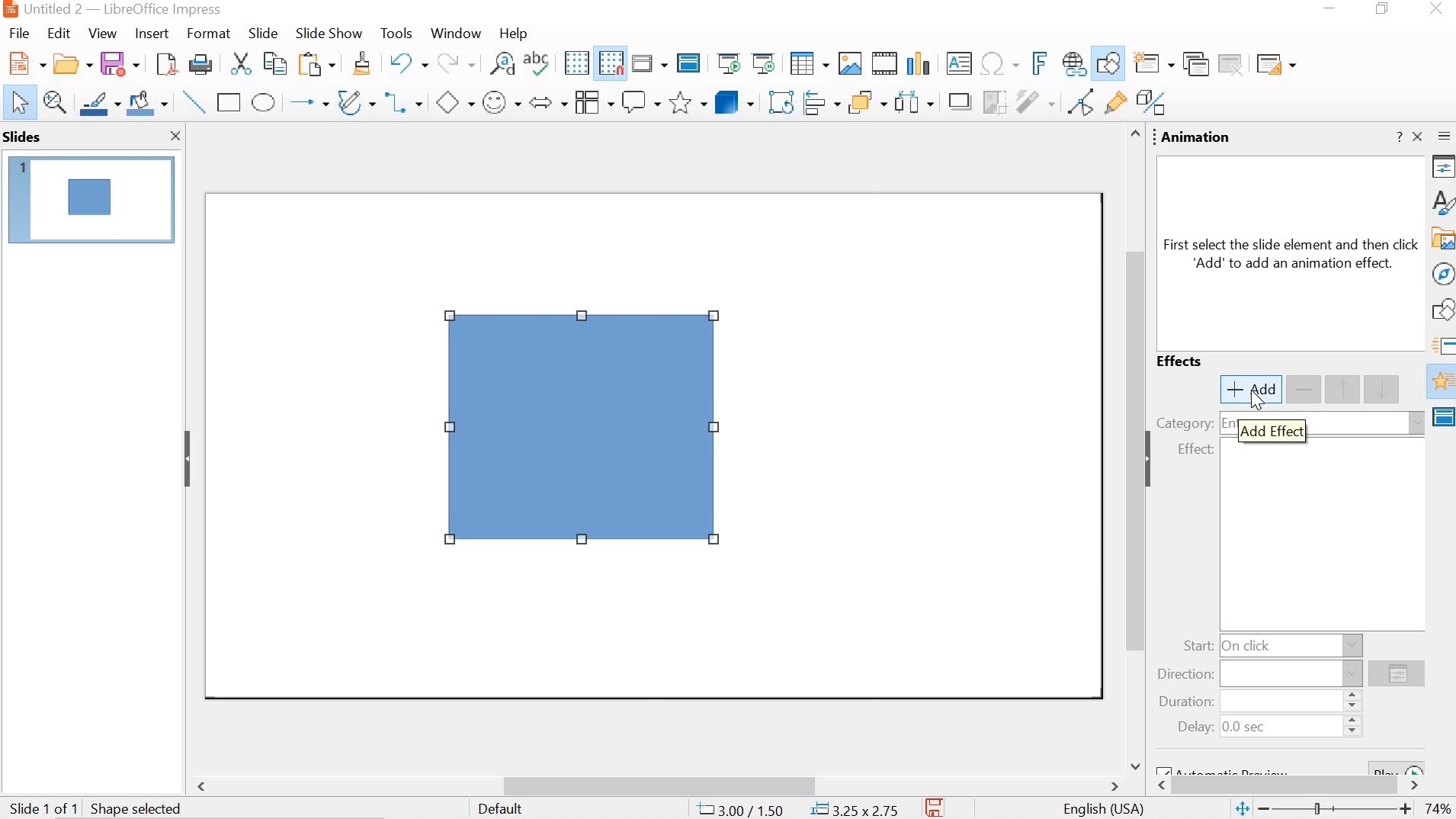  Describe the element at coordinates (244, 64) in the screenshot. I see `cut` at that location.